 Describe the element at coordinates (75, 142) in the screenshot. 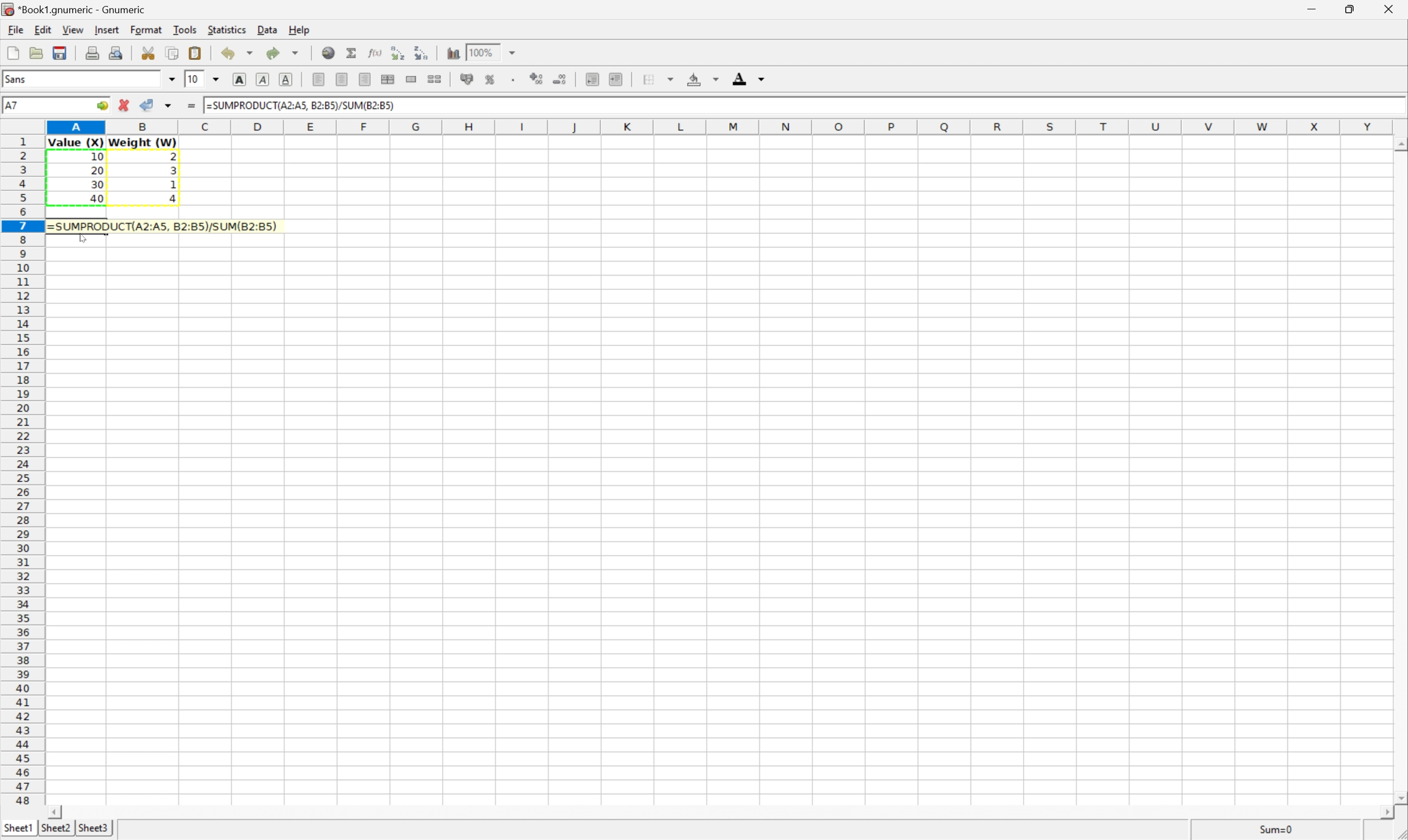

I see `Value (X)` at that location.